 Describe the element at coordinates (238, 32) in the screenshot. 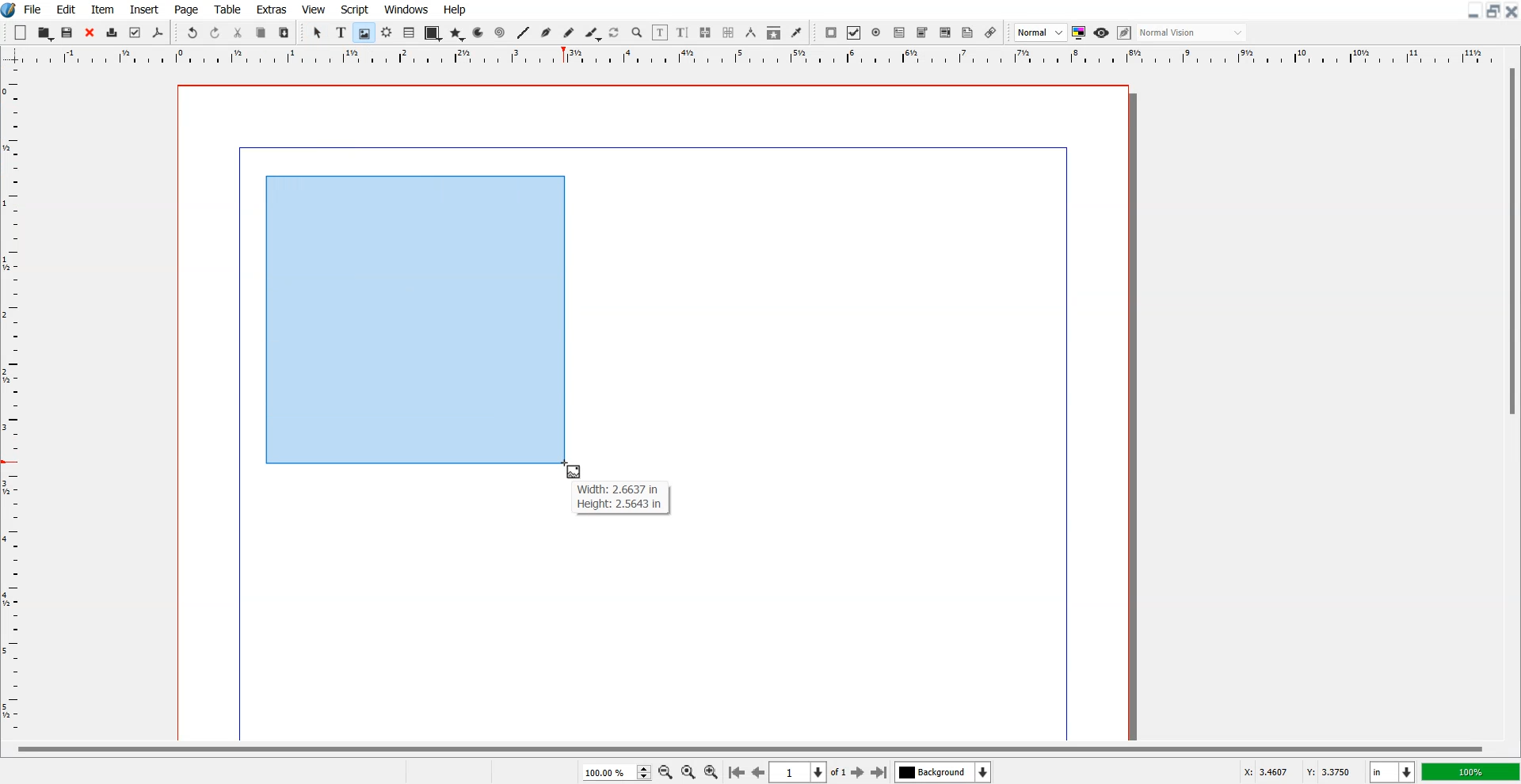

I see `Cut` at that location.